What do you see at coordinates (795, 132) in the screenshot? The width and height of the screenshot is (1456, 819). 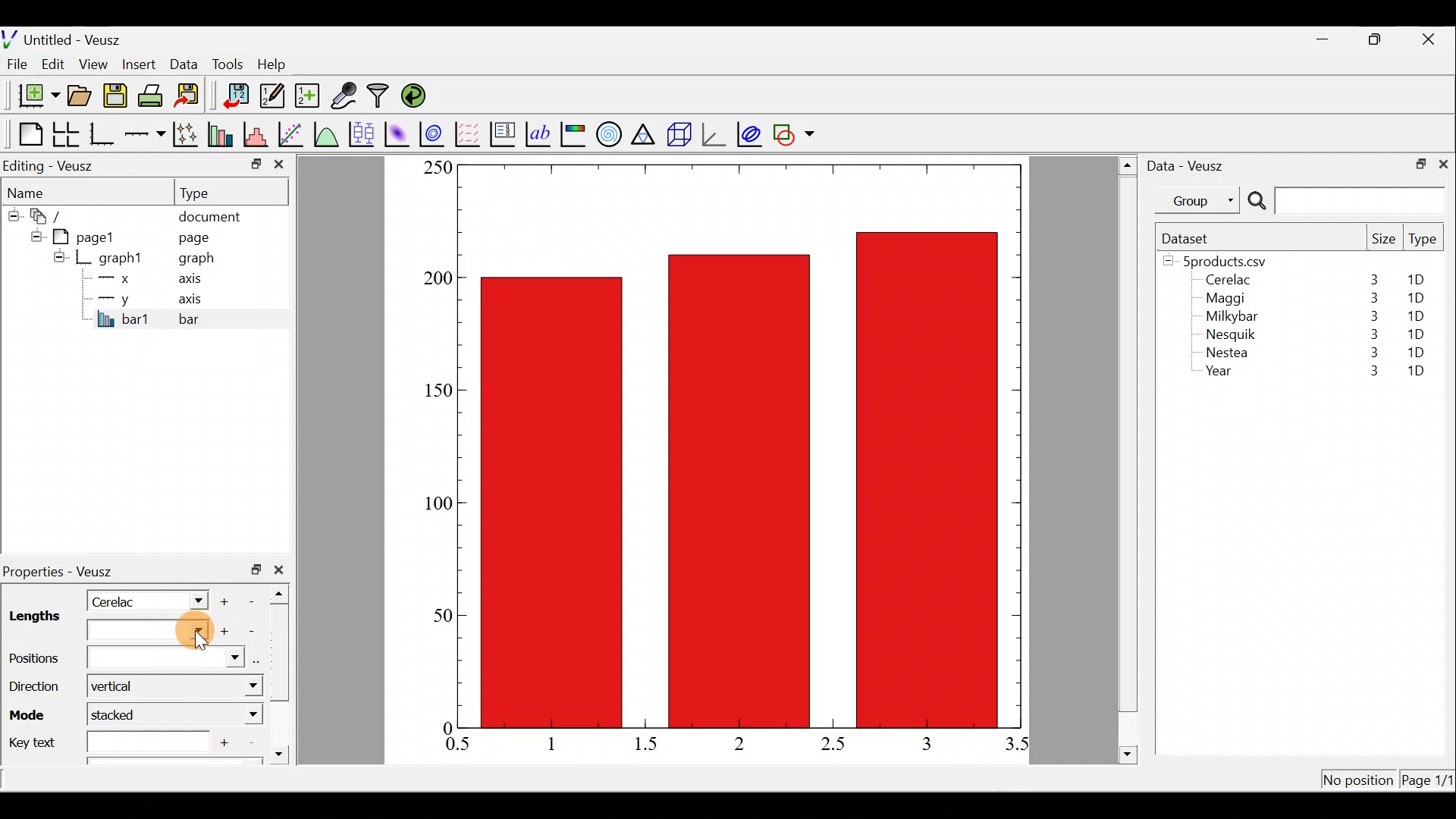 I see `Add a shape to the plot.` at bounding box center [795, 132].